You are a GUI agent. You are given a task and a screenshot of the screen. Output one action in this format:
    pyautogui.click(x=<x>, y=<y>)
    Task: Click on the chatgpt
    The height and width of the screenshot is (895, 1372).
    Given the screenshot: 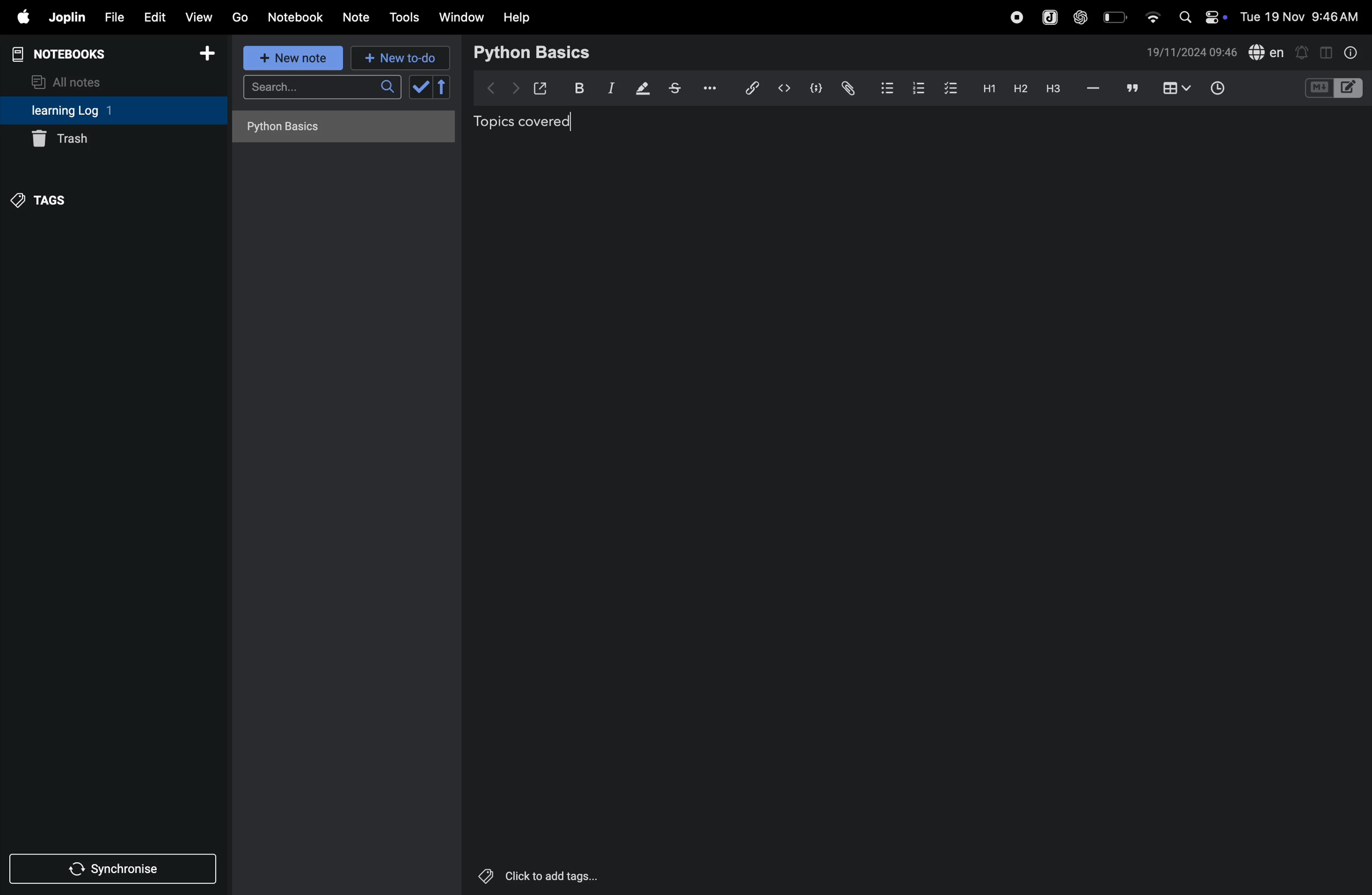 What is the action you would take?
    pyautogui.click(x=1081, y=16)
    